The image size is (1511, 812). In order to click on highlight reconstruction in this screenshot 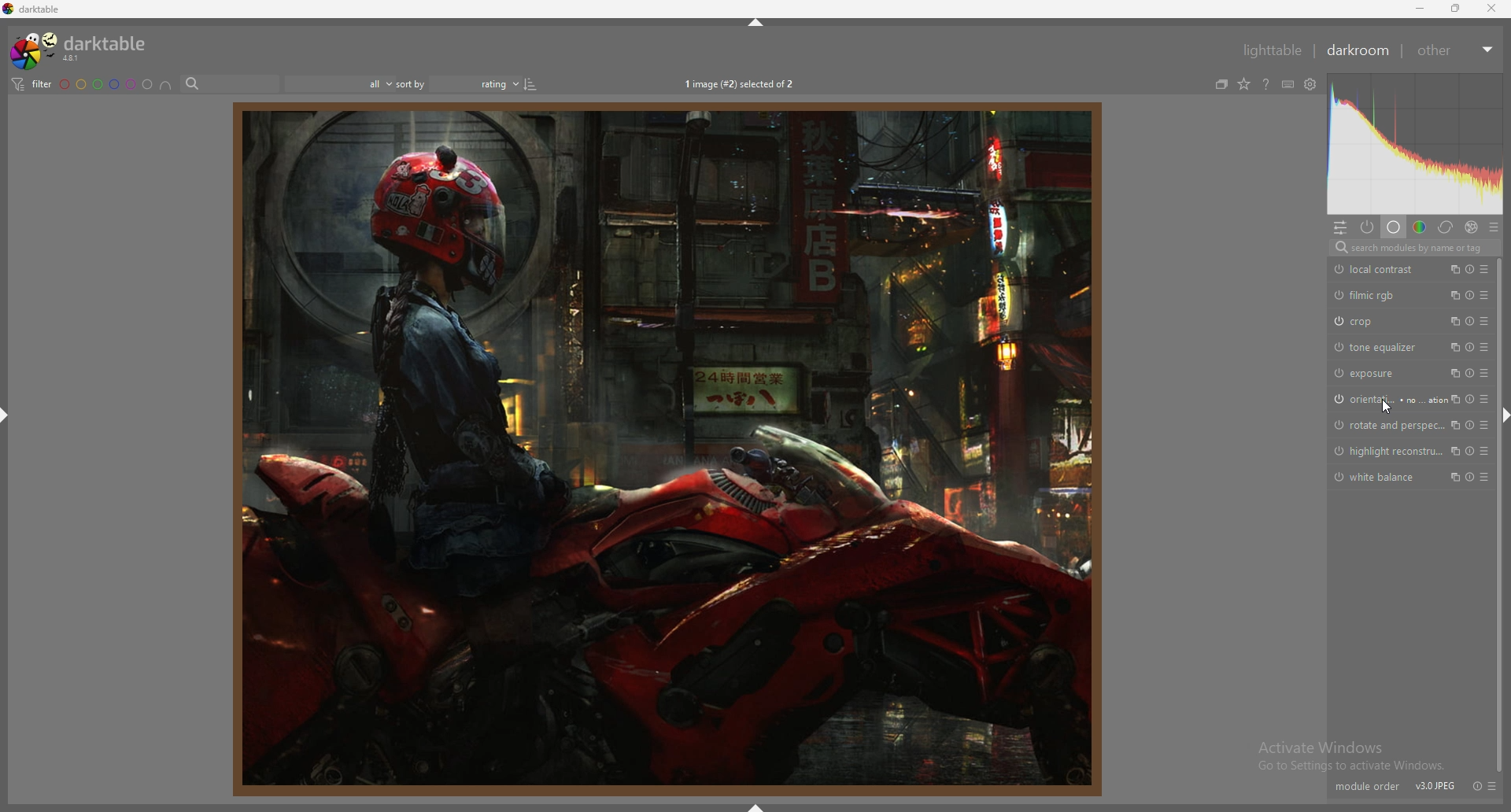, I will do `click(1384, 452)`.